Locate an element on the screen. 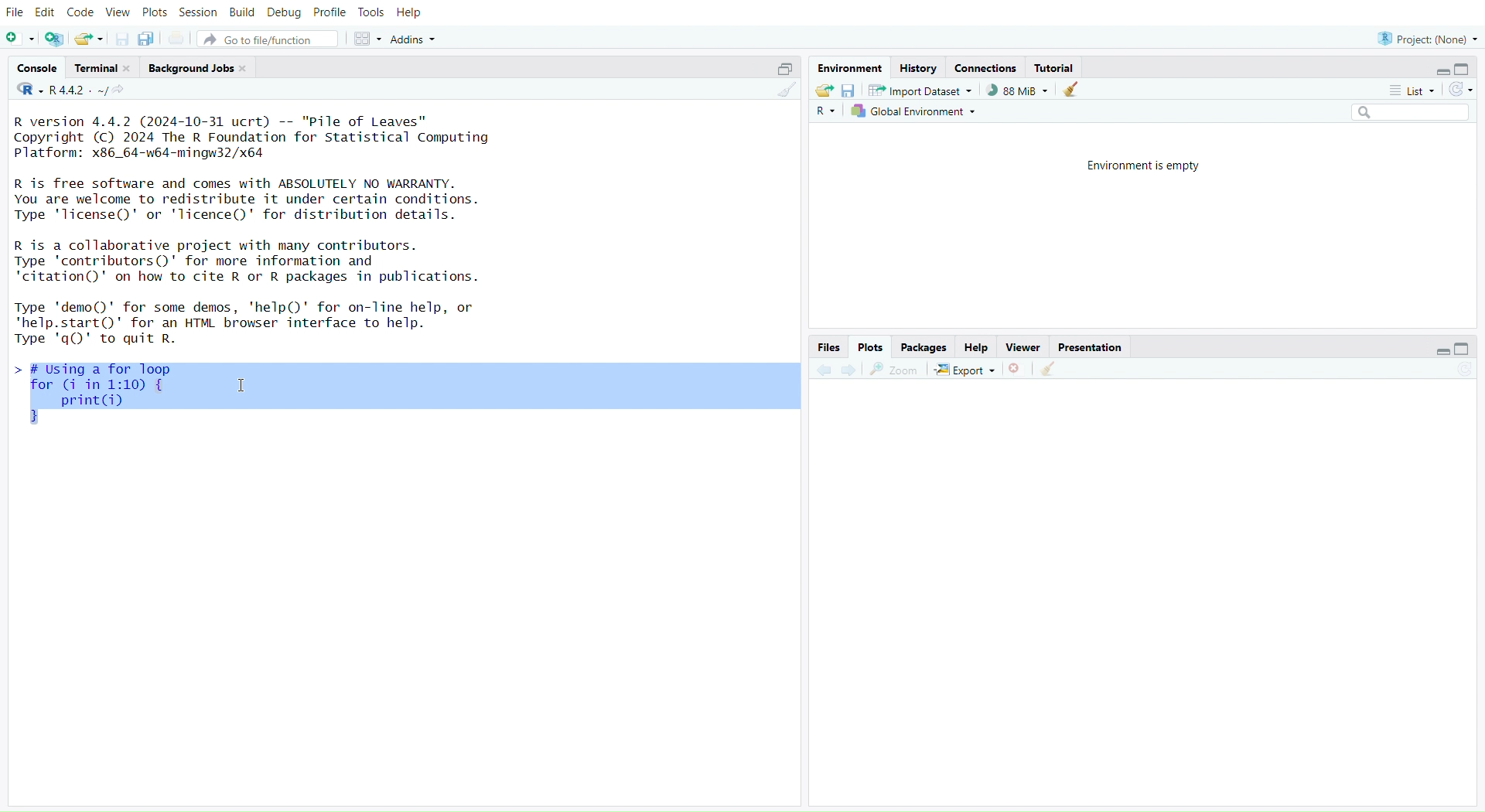 The image size is (1485, 812). collapse is located at coordinates (1467, 68).